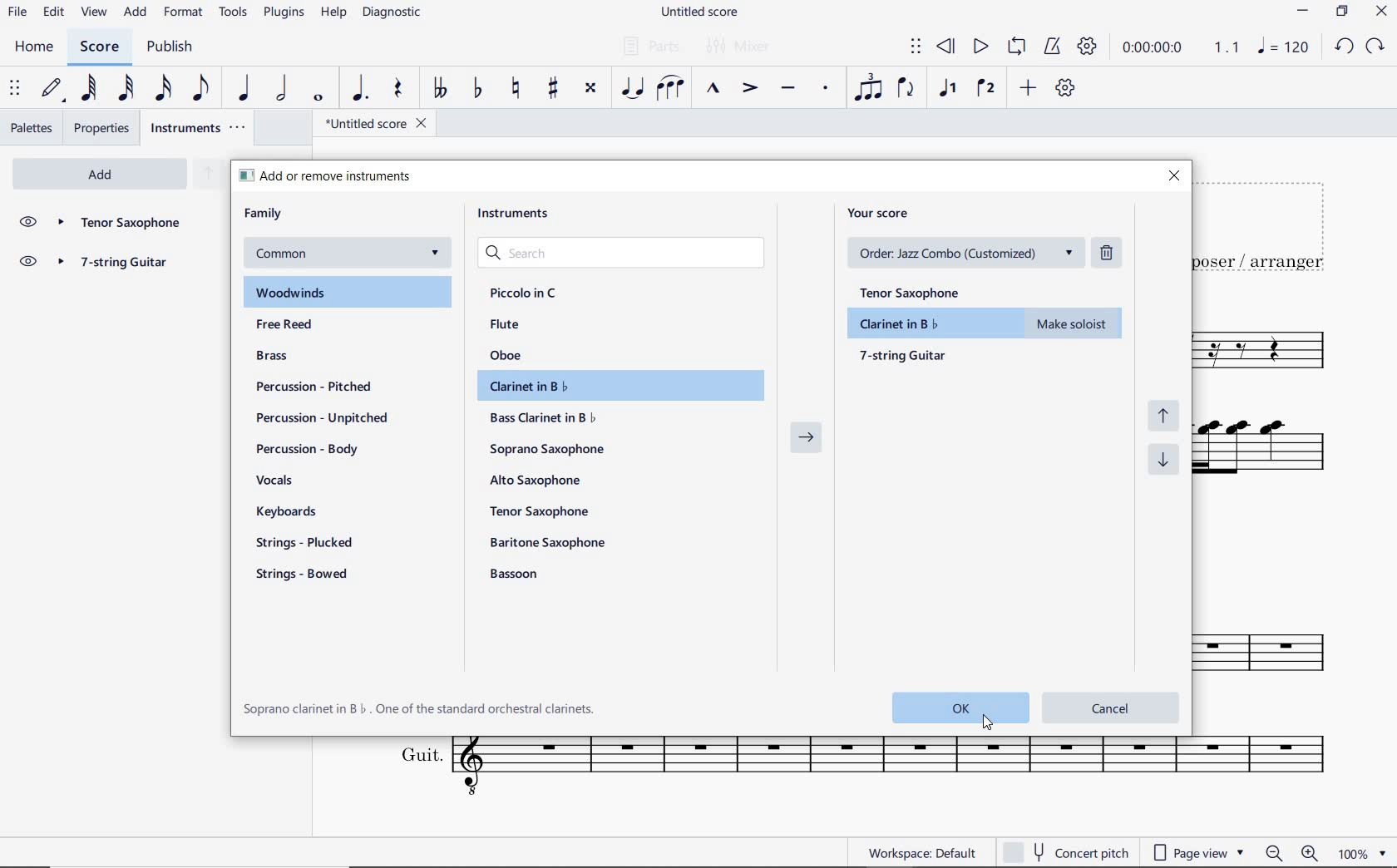 The width and height of the screenshot is (1397, 868). What do you see at coordinates (971, 253) in the screenshot?
I see `order: Jazz Combo` at bounding box center [971, 253].